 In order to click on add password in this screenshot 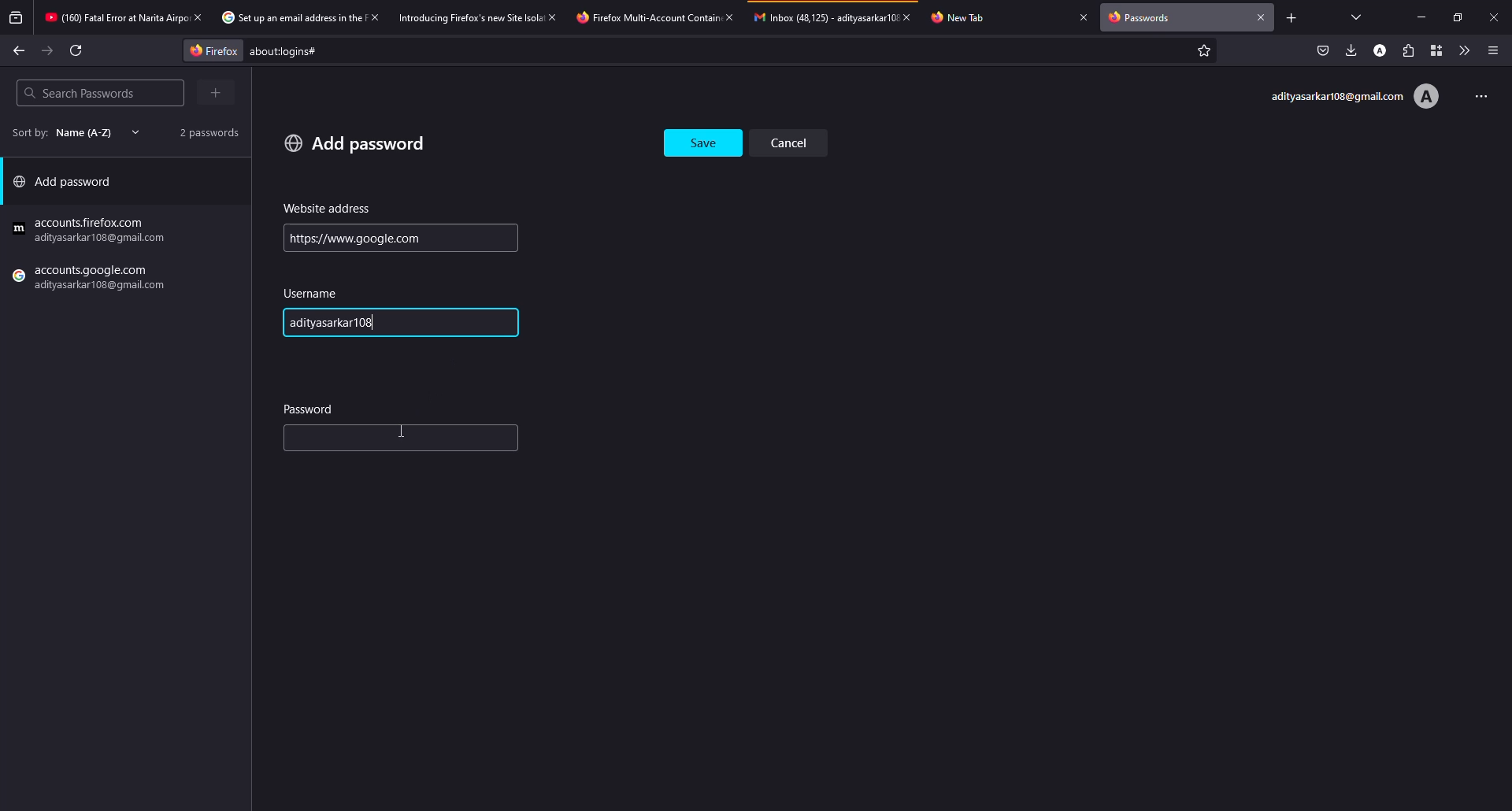, I will do `click(68, 185)`.